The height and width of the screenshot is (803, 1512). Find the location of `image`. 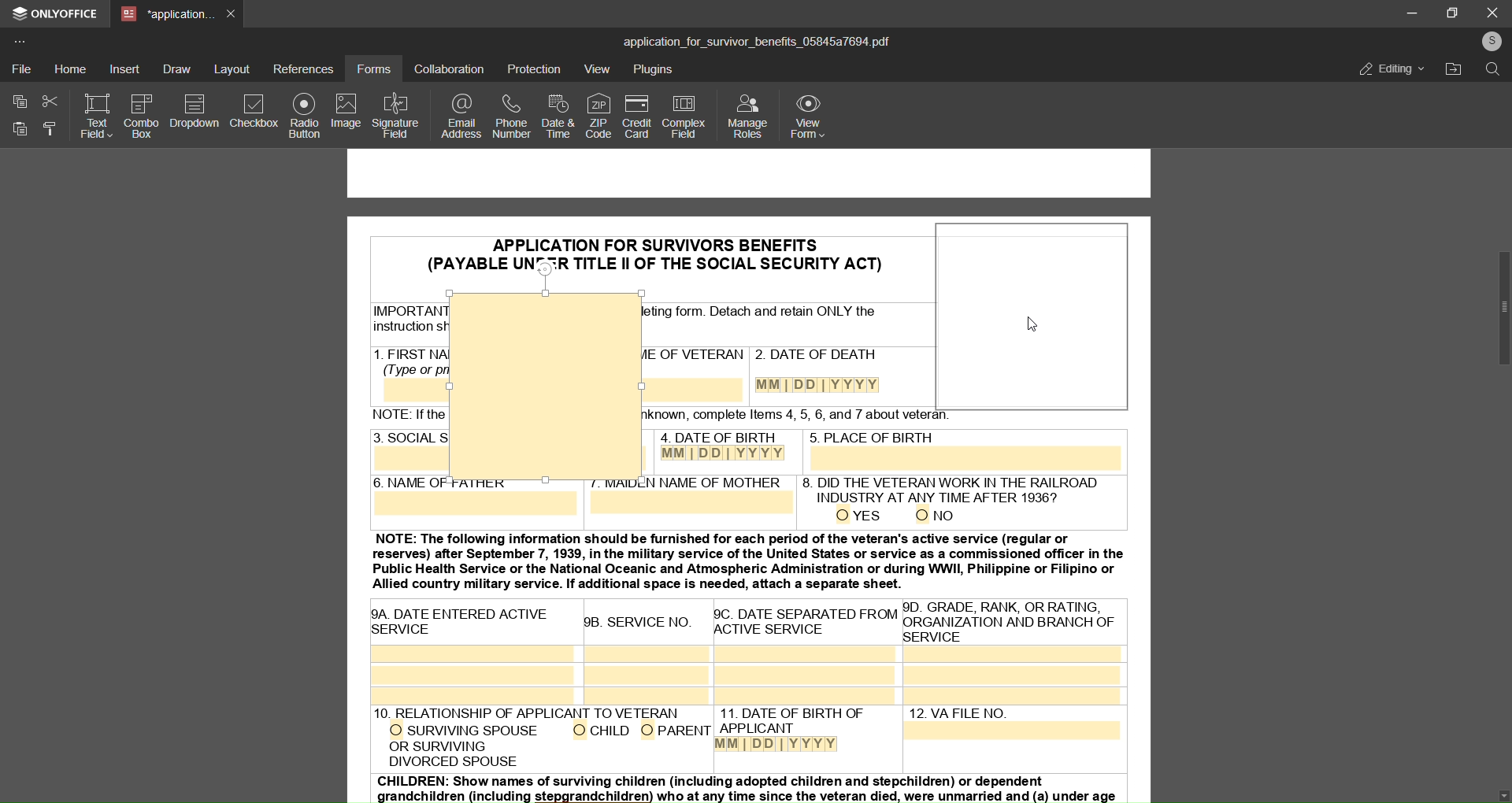

image is located at coordinates (345, 113).